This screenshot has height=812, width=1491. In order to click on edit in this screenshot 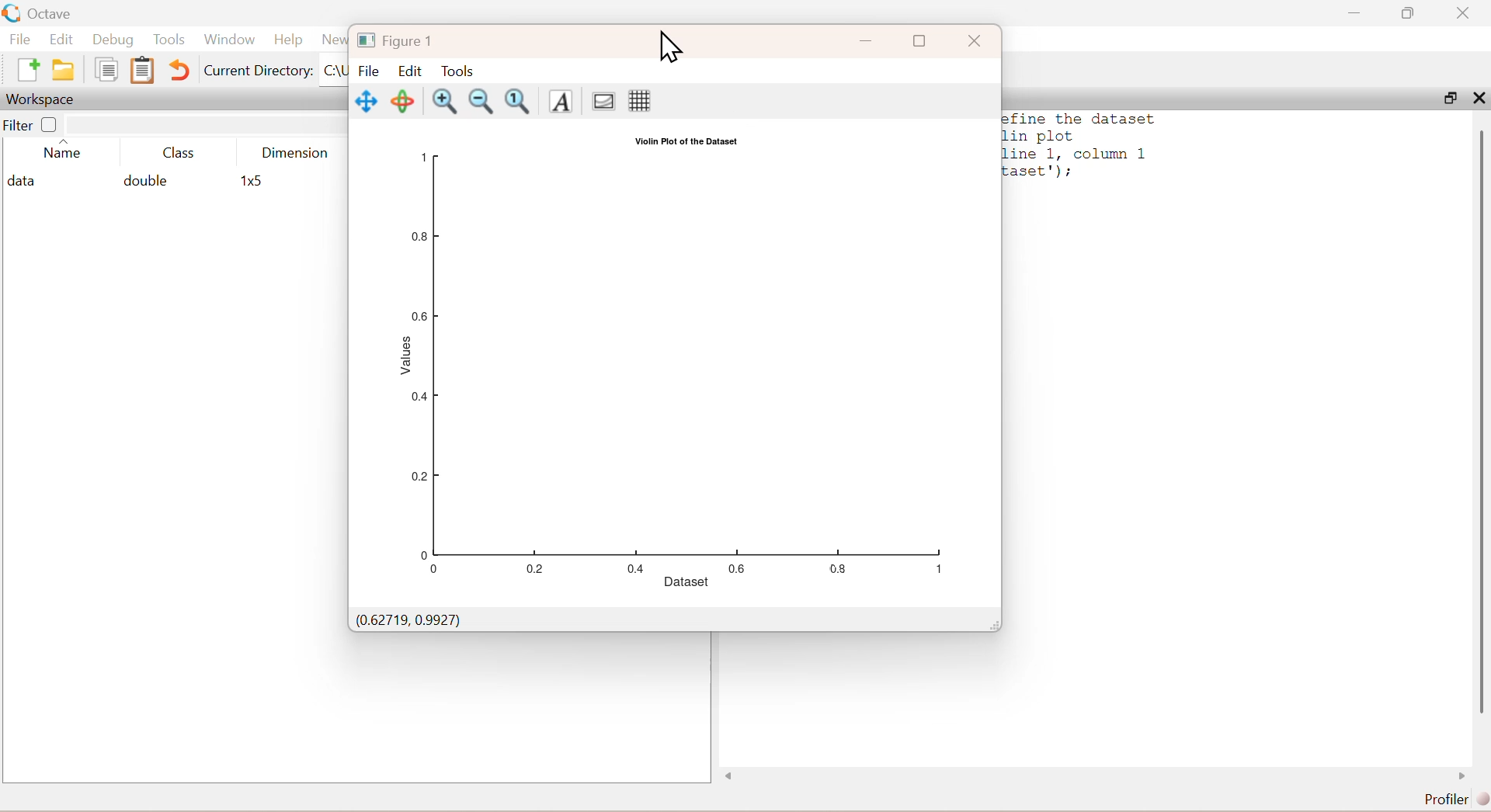, I will do `click(410, 71)`.